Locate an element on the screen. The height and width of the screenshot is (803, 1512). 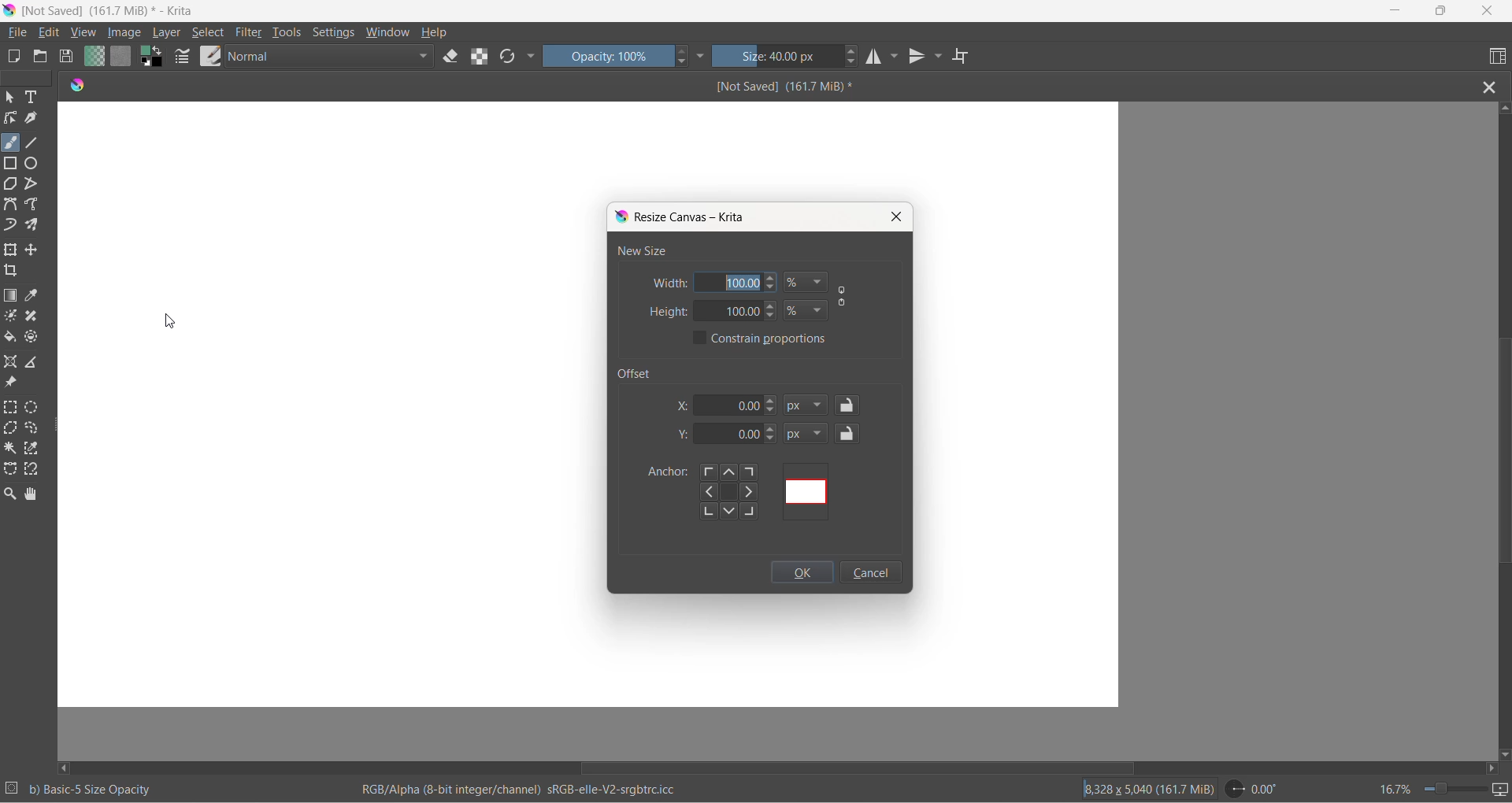
magnetic curve selection tool is located at coordinates (35, 471).